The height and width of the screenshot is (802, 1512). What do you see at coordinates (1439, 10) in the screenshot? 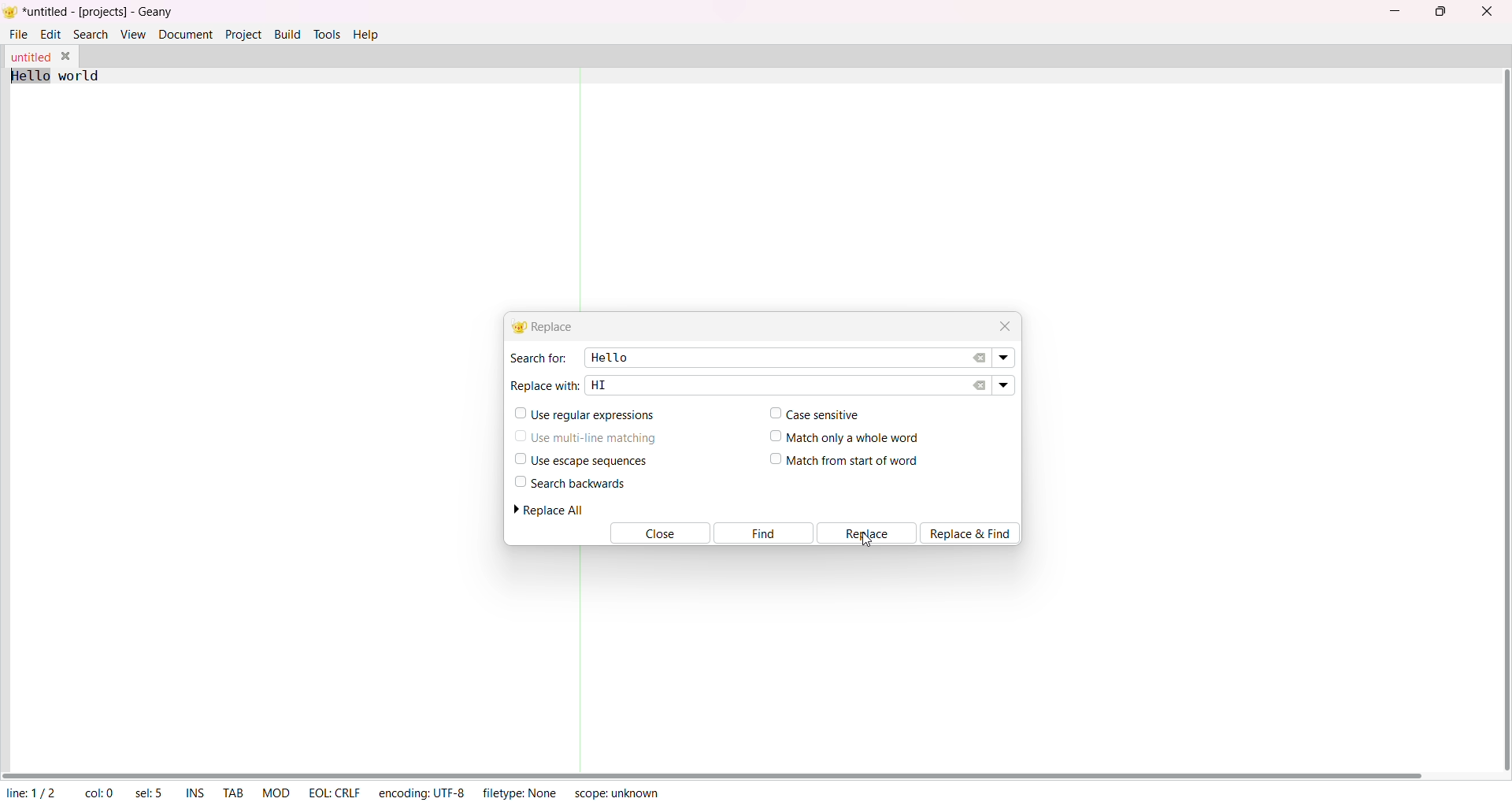
I see `maximize` at bounding box center [1439, 10].